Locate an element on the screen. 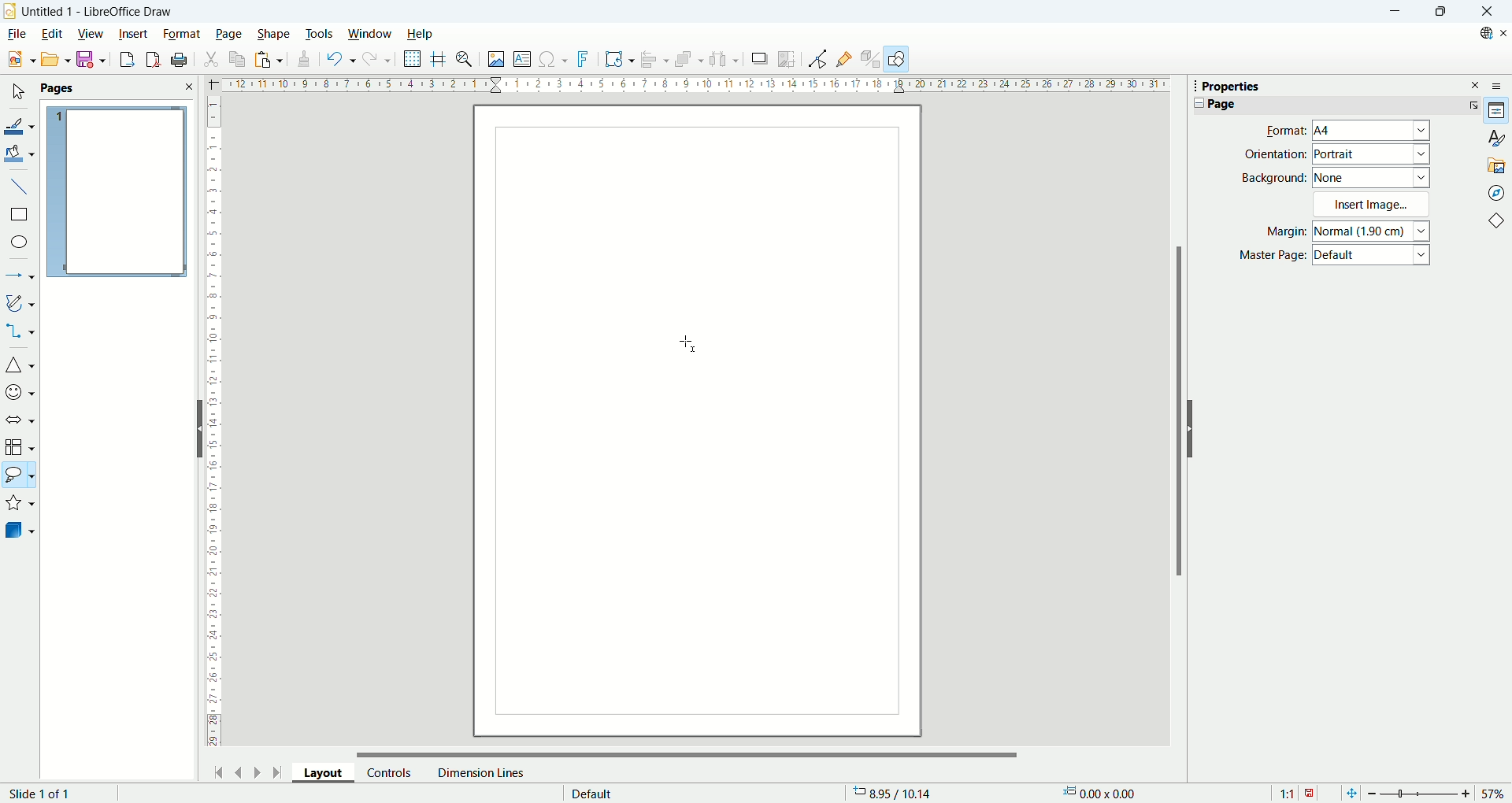  align object is located at coordinates (658, 60).